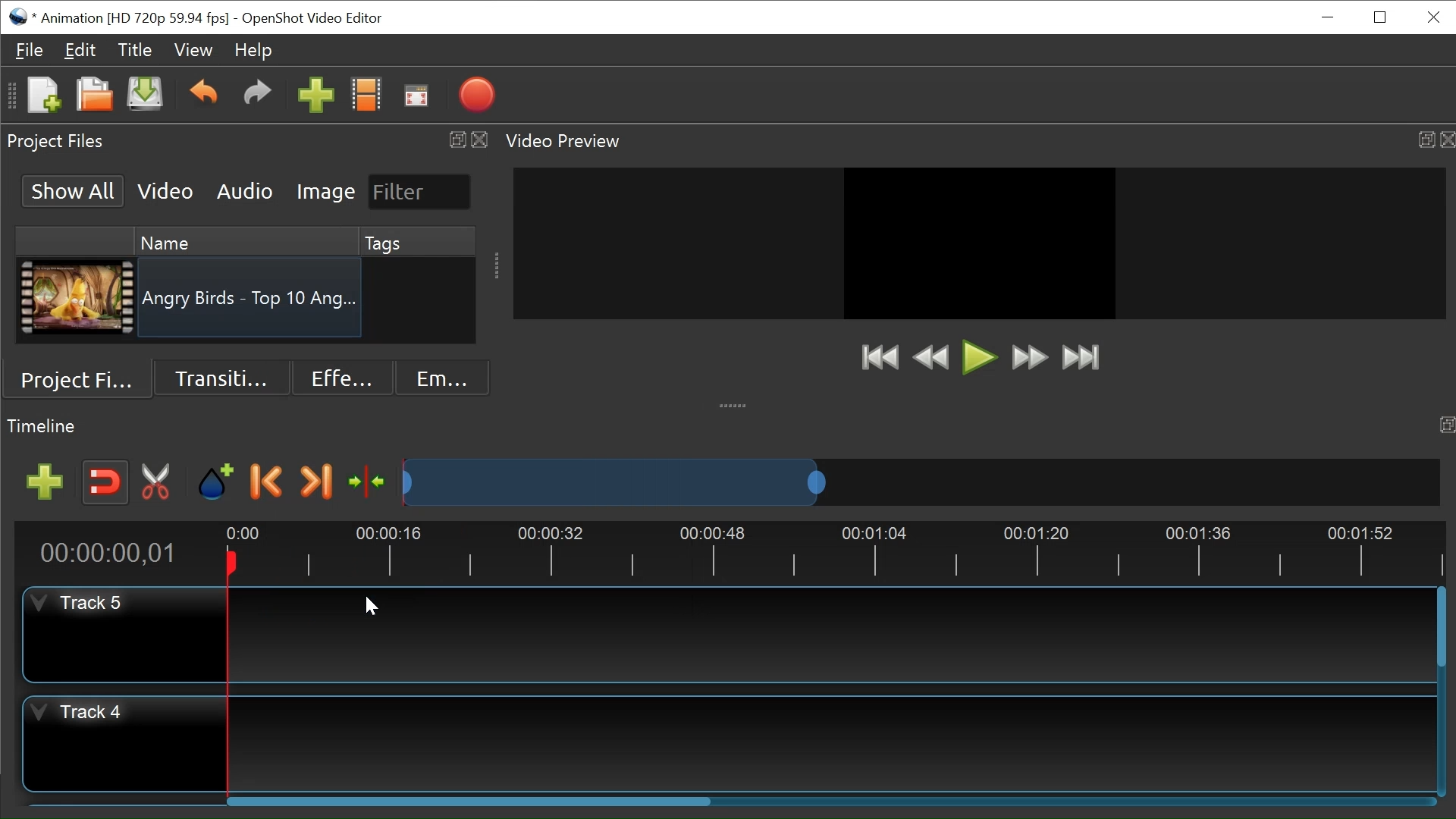 Image resolution: width=1456 pixels, height=819 pixels. What do you see at coordinates (31, 49) in the screenshot?
I see `File` at bounding box center [31, 49].